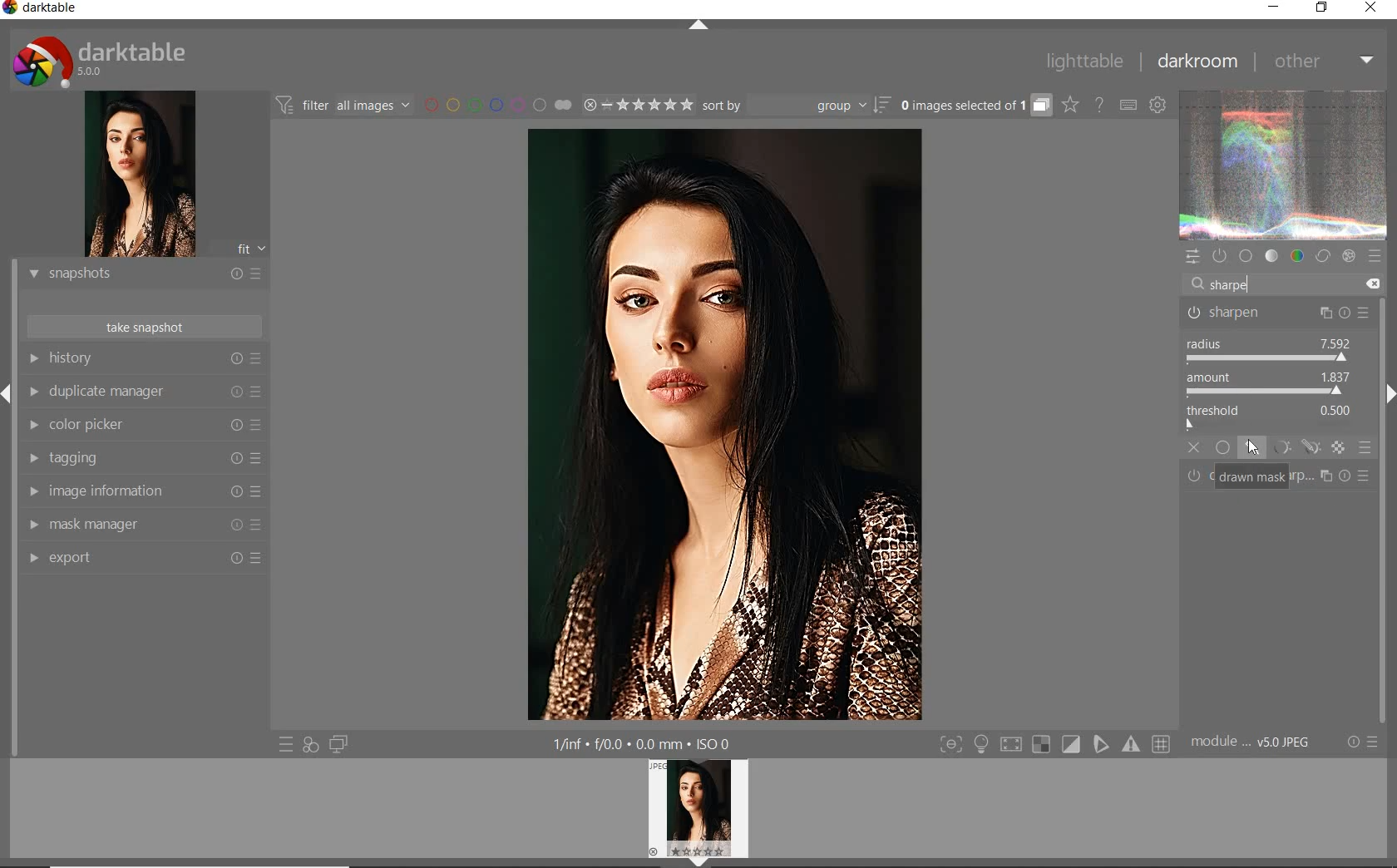  Describe the element at coordinates (1385, 512) in the screenshot. I see `task bar` at that location.